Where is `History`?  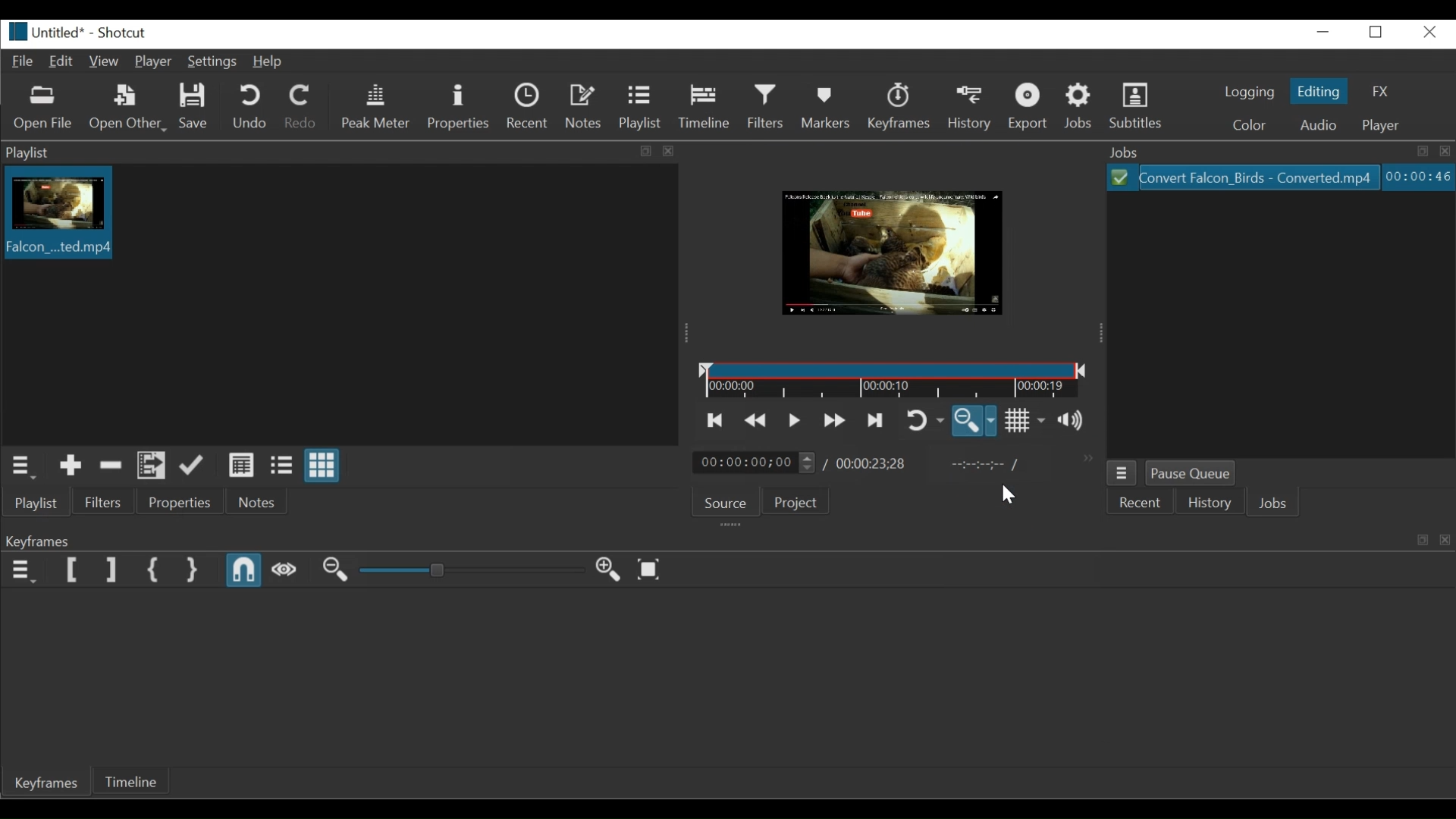 History is located at coordinates (1207, 502).